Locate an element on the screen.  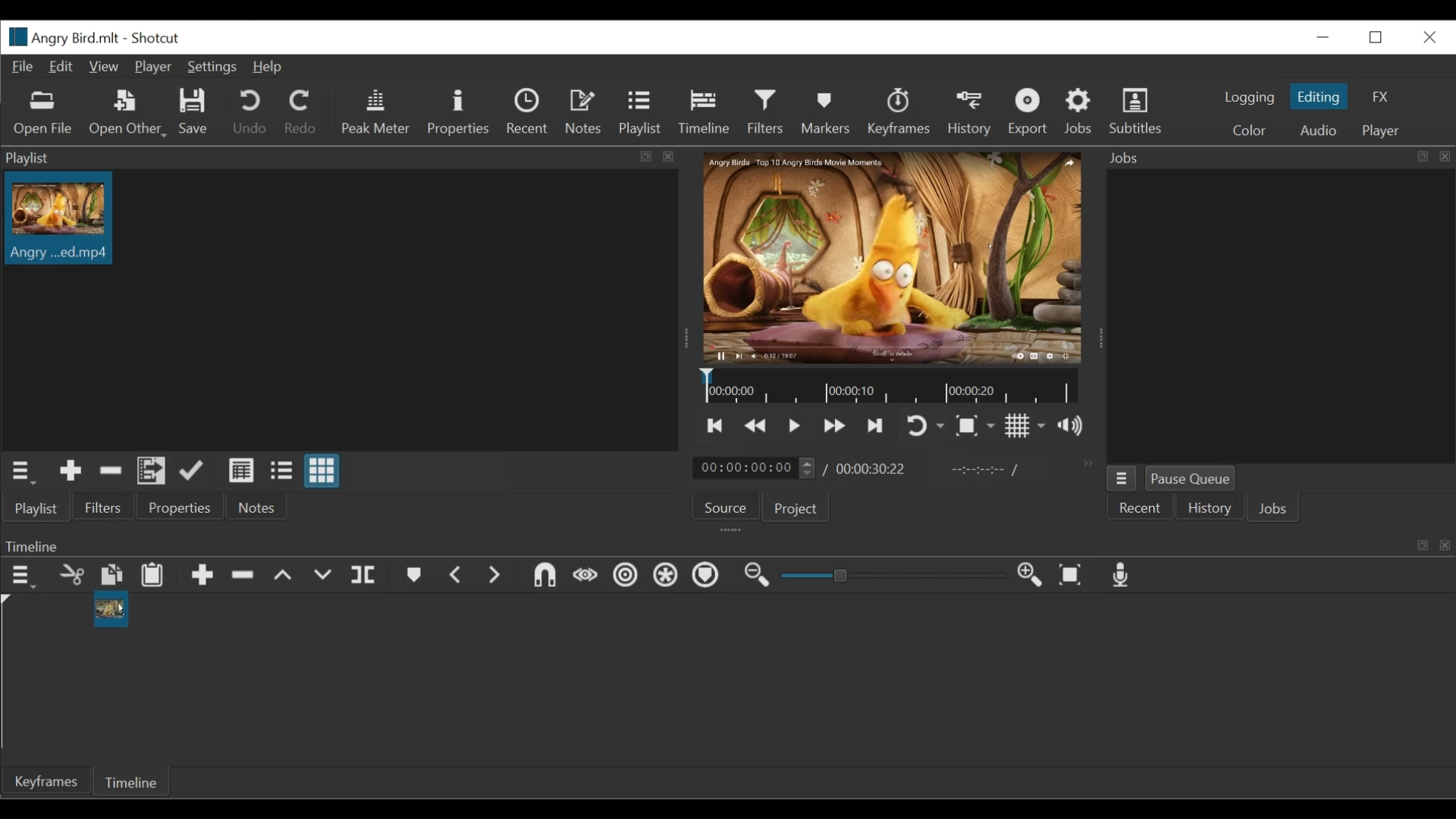
Jobs menu is located at coordinates (1122, 478).